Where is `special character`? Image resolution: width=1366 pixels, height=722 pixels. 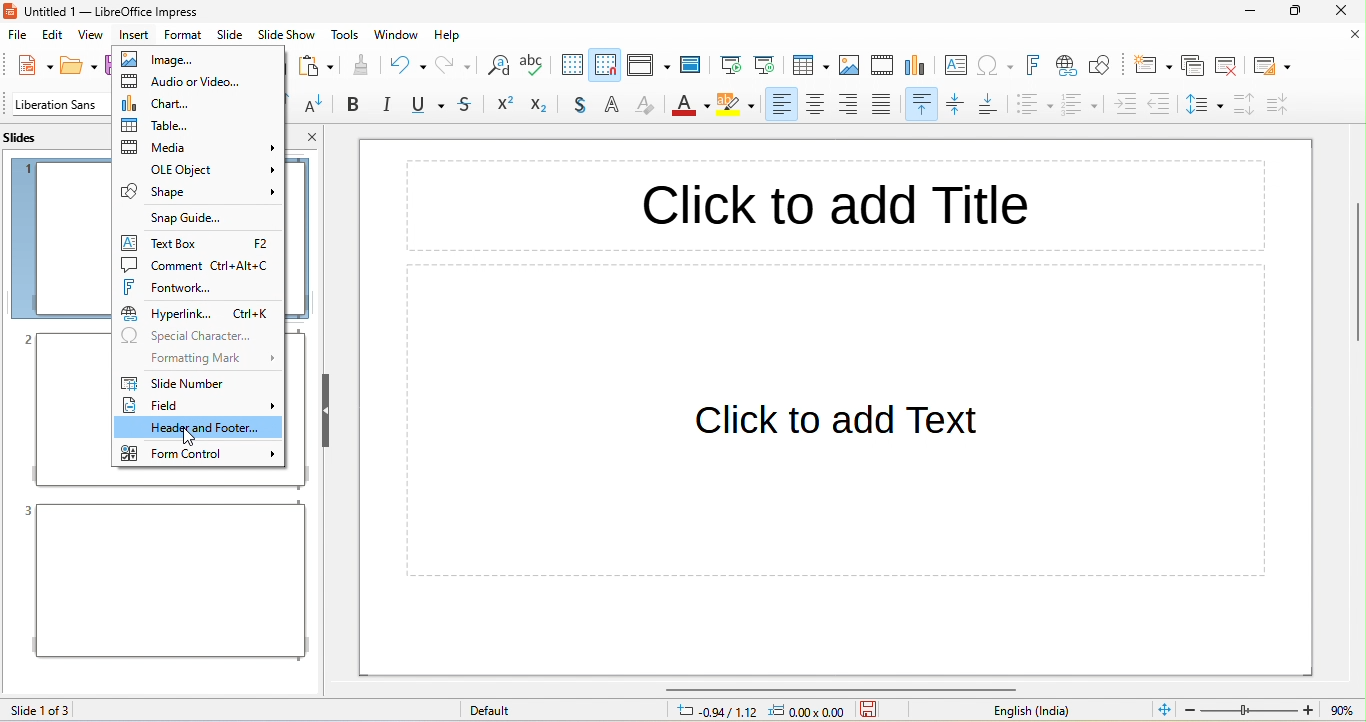 special character is located at coordinates (999, 65).